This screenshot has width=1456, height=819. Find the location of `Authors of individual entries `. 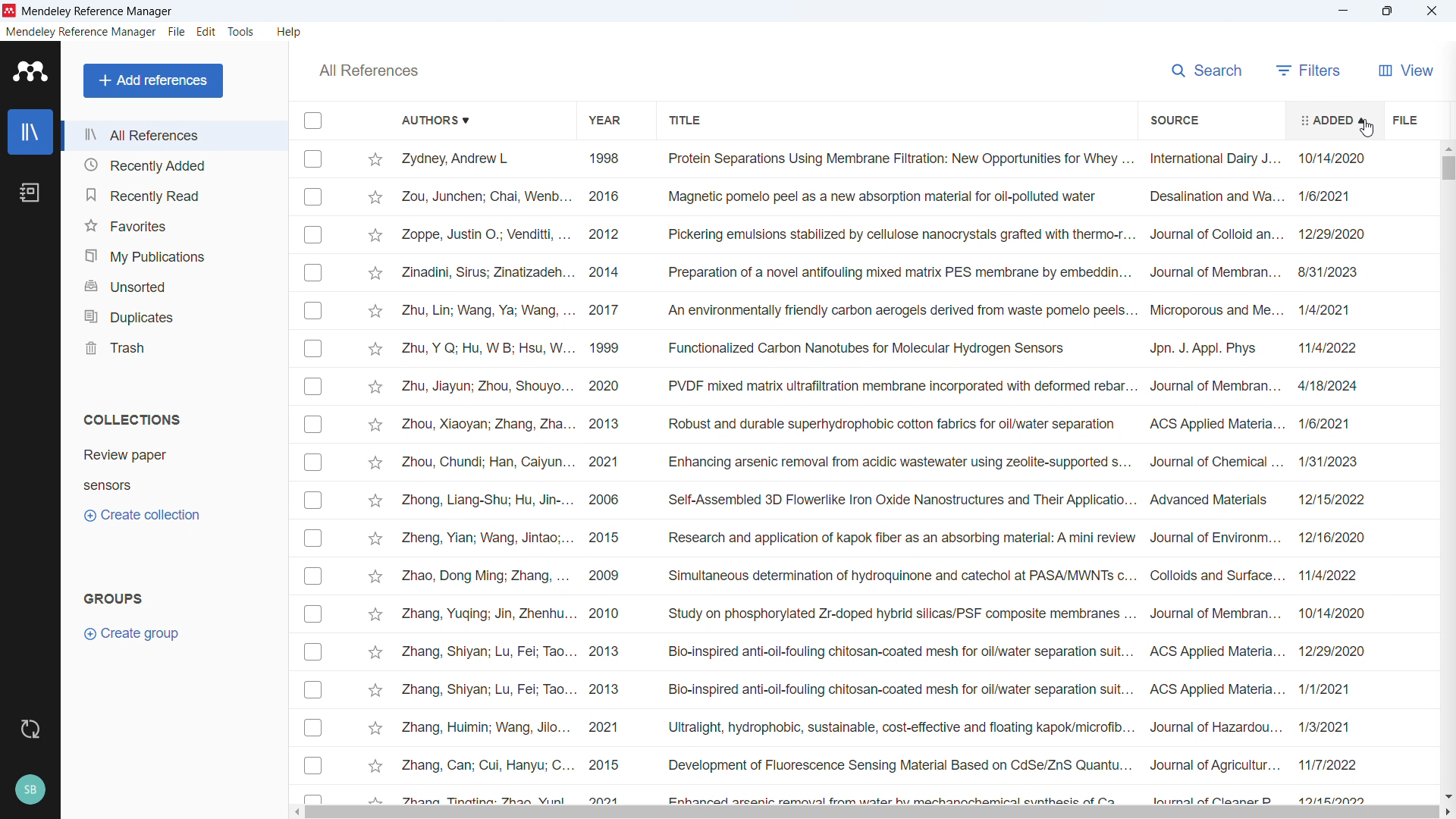

Authors of individual entries  is located at coordinates (489, 477).